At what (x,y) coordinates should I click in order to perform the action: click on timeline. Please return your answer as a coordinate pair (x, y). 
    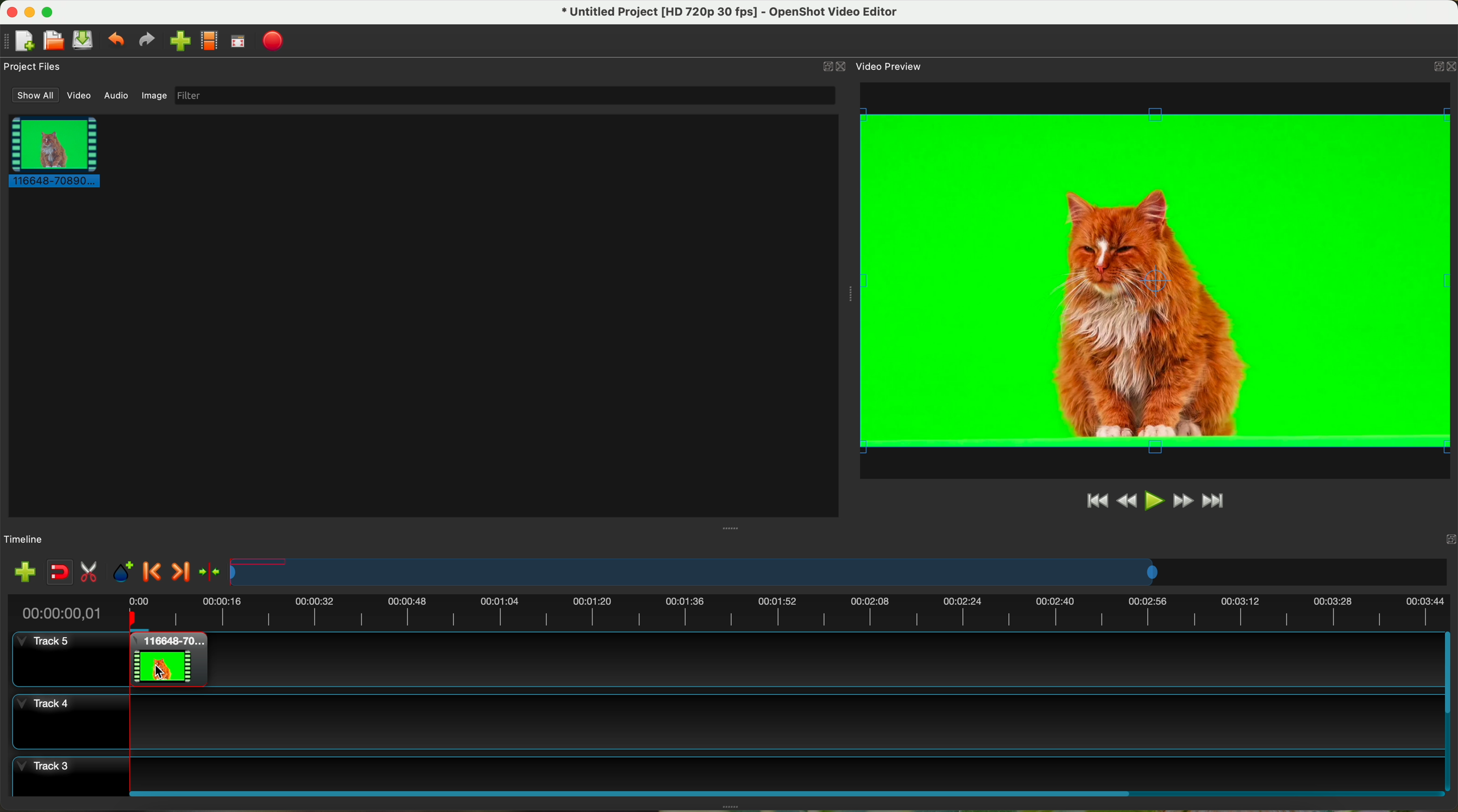
    Looking at the image, I should click on (24, 540).